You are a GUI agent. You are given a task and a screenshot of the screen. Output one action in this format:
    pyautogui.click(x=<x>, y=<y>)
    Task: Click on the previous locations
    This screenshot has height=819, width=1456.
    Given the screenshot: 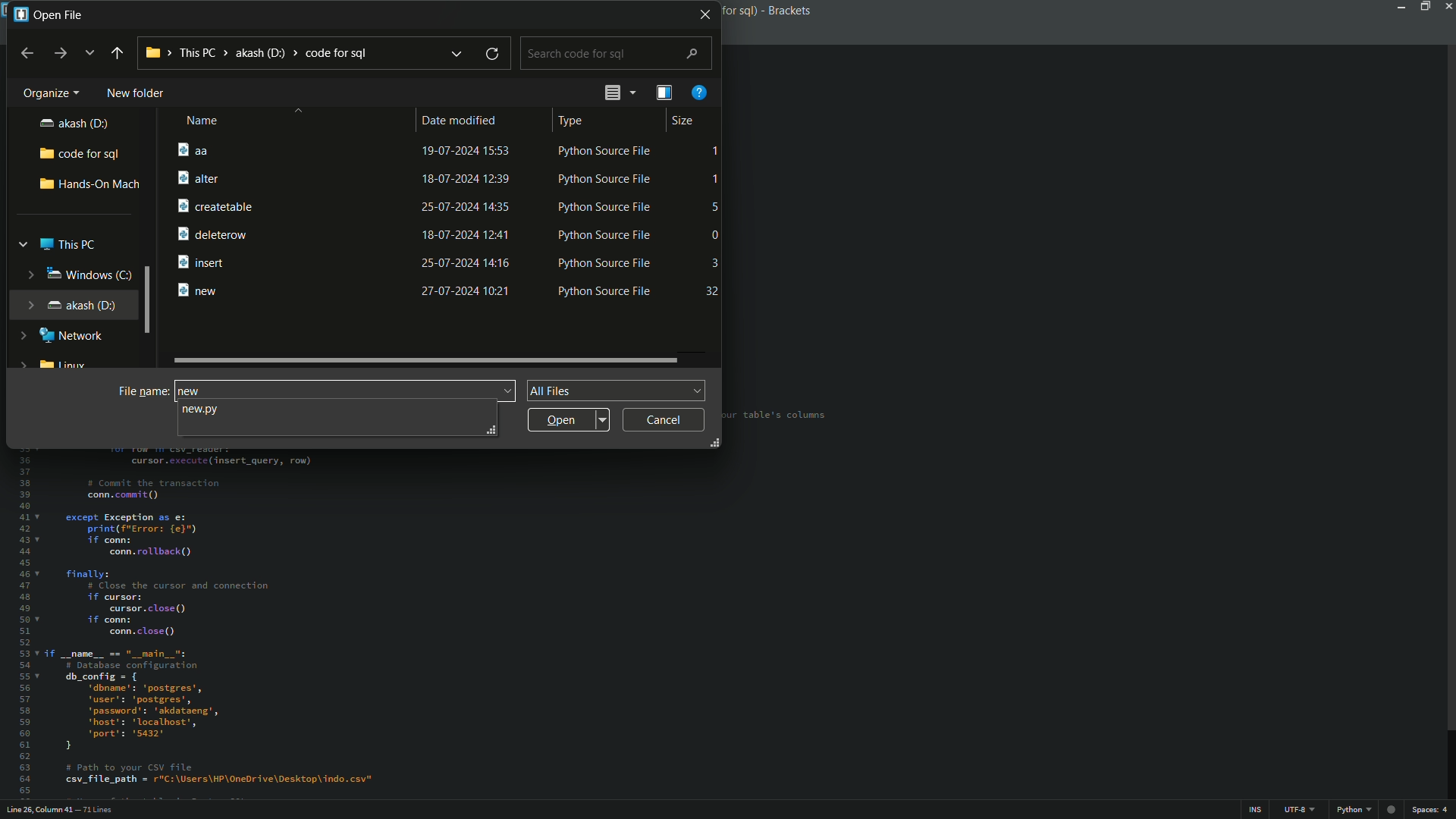 What is the action you would take?
    pyautogui.click(x=457, y=54)
    